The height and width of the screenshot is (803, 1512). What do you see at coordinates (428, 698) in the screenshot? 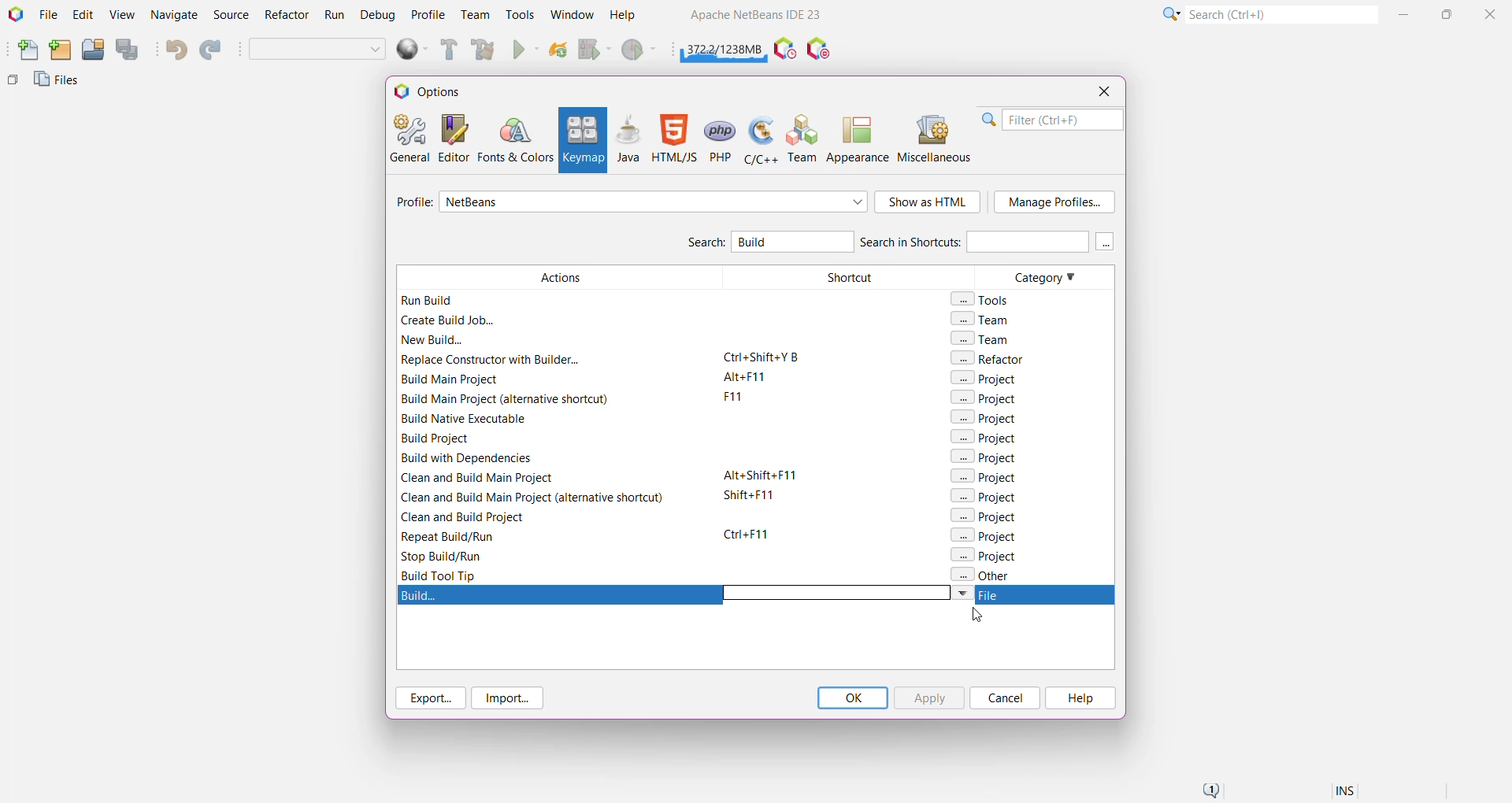
I see `Export` at bounding box center [428, 698].